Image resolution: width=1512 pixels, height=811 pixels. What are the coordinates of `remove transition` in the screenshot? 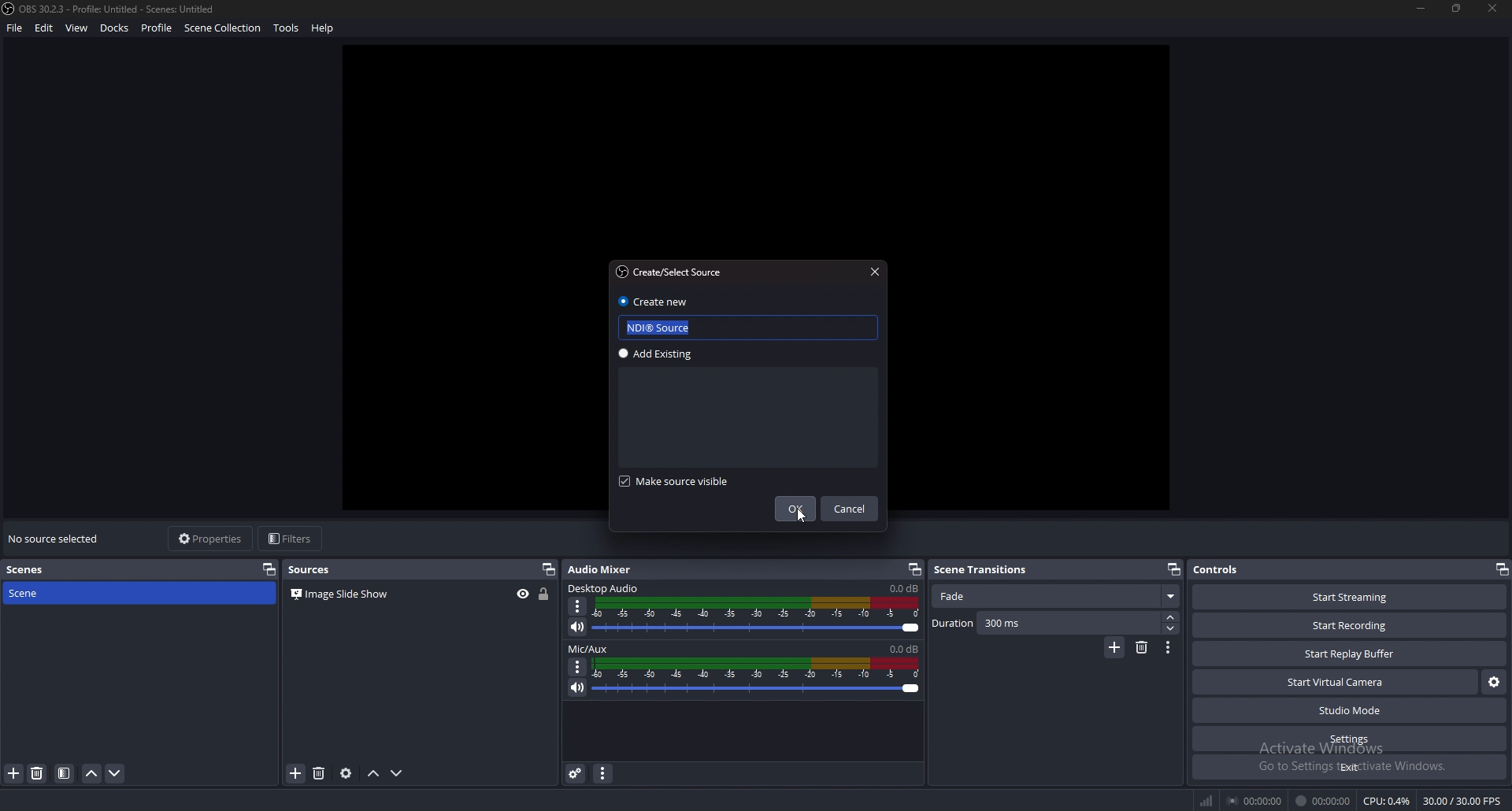 It's located at (1141, 649).